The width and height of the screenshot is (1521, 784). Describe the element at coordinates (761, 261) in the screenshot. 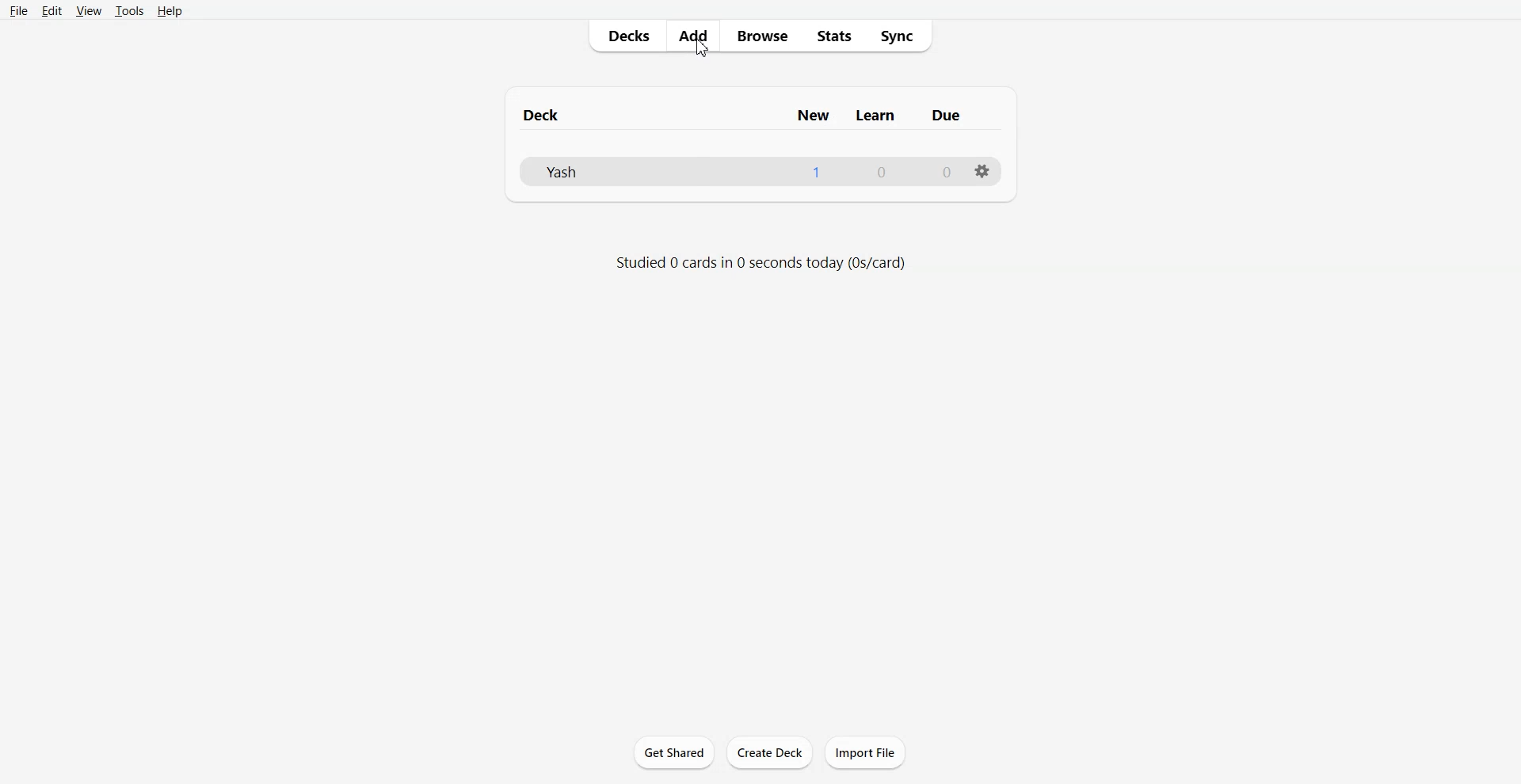

I see `Studied 0 cards in 0 seconds today (0s/card)` at that location.